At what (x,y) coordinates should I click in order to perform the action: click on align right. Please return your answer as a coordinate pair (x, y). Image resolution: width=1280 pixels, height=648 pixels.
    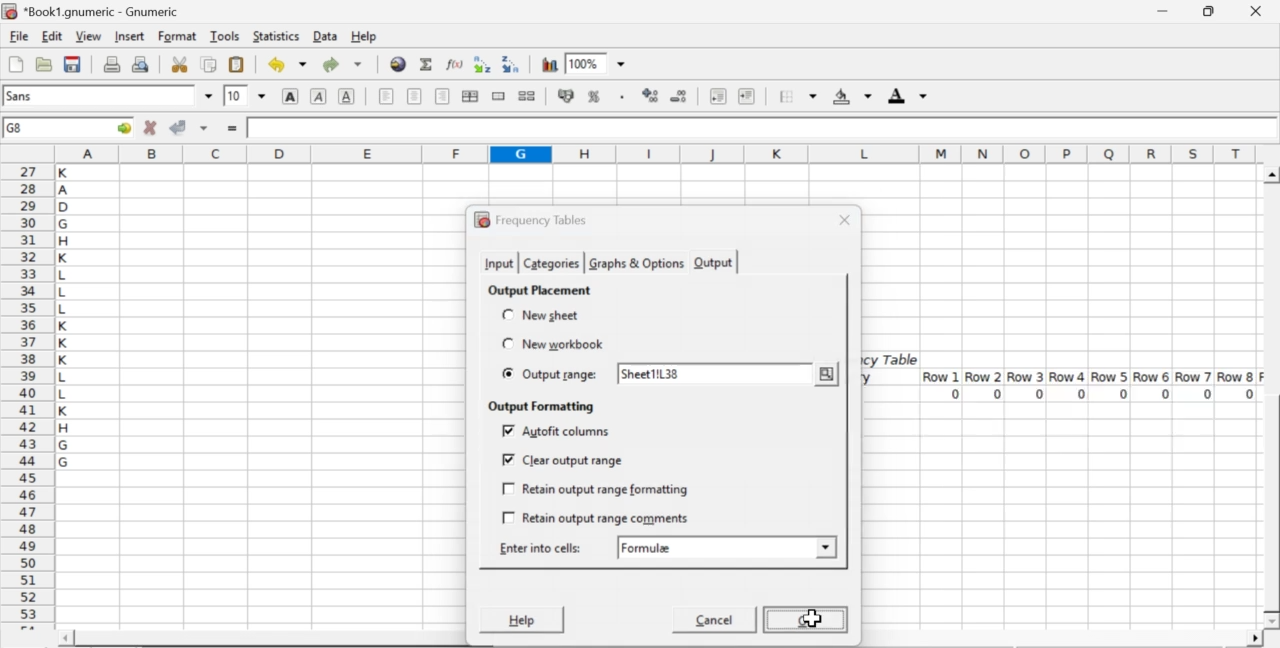
    Looking at the image, I should click on (442, 97).